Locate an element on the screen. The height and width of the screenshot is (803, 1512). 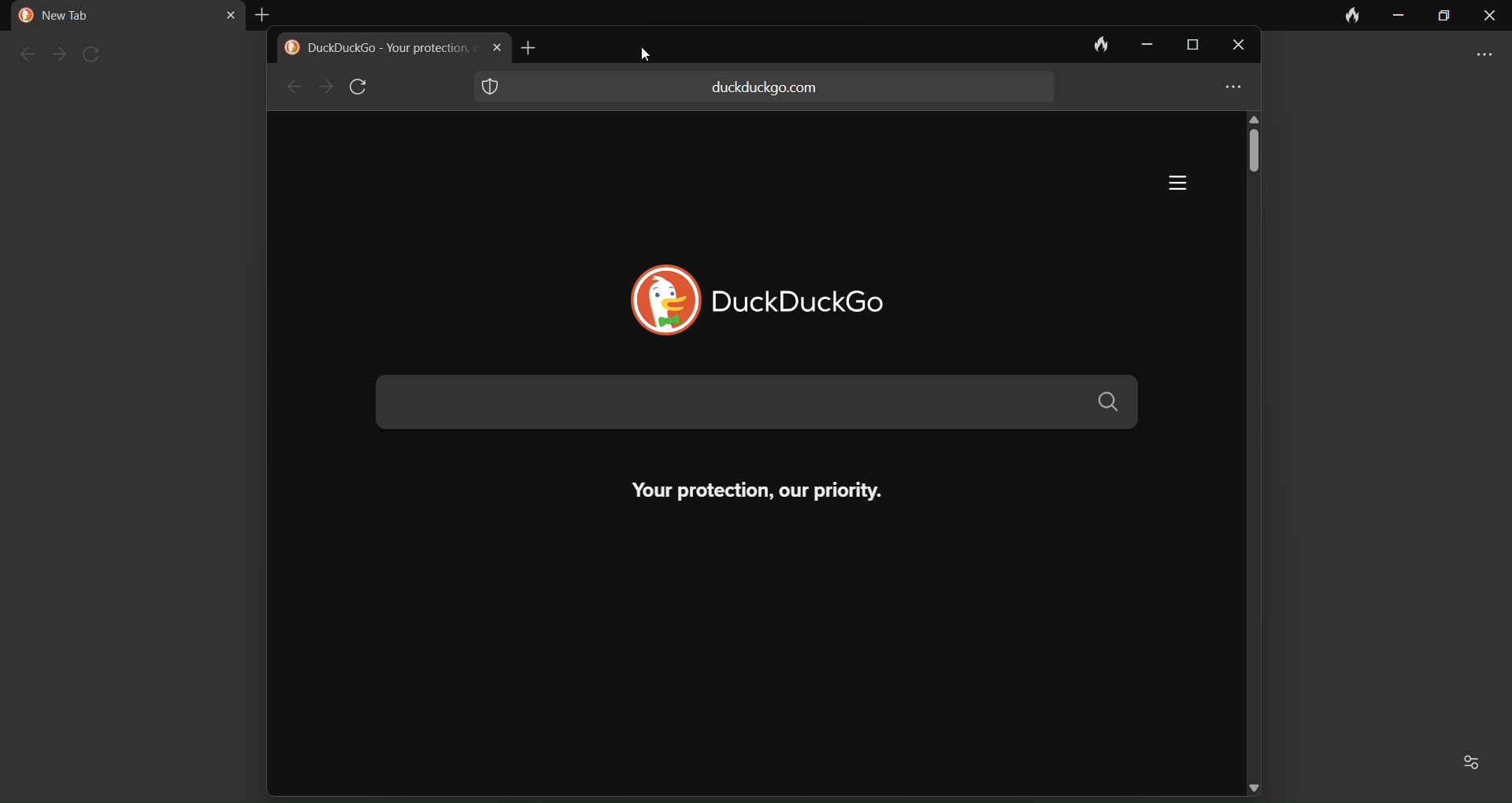
back is located at coordinates (22, 56).